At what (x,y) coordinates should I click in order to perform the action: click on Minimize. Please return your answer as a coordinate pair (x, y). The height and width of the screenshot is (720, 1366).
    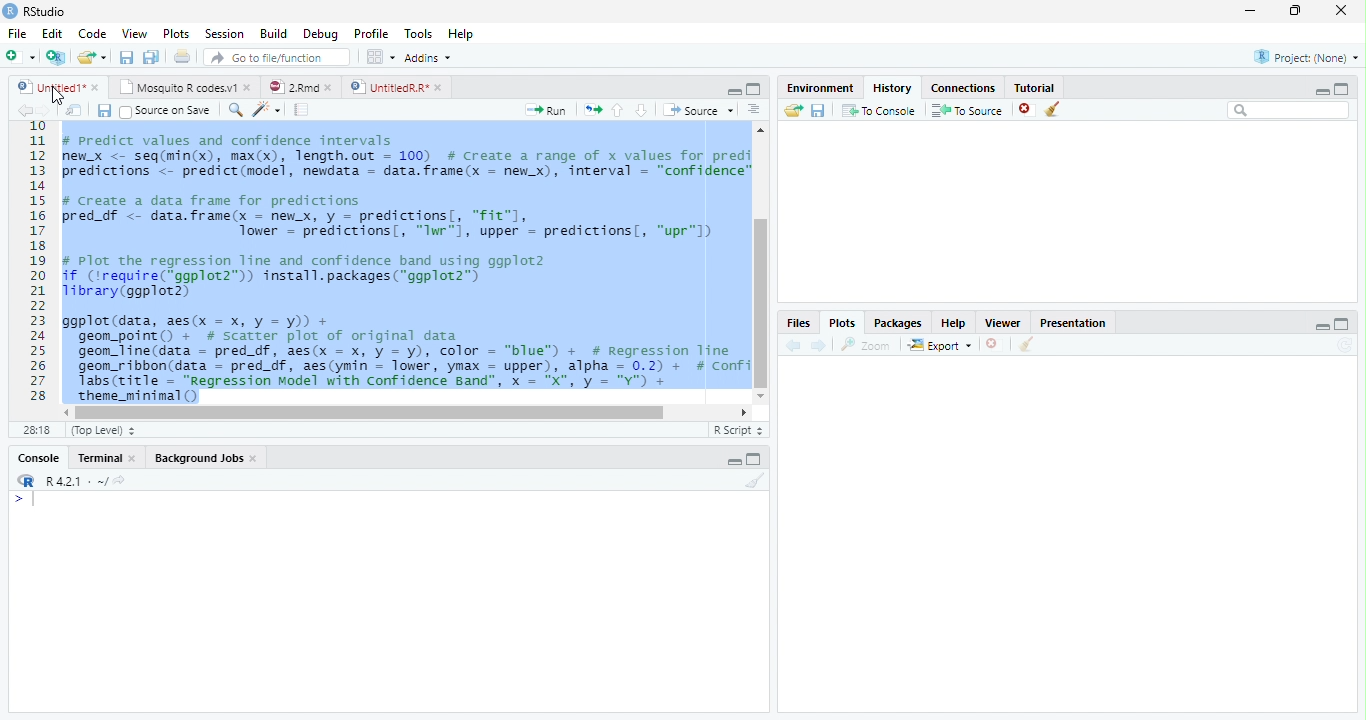
    Looking at the image, I should click on (734, 462).